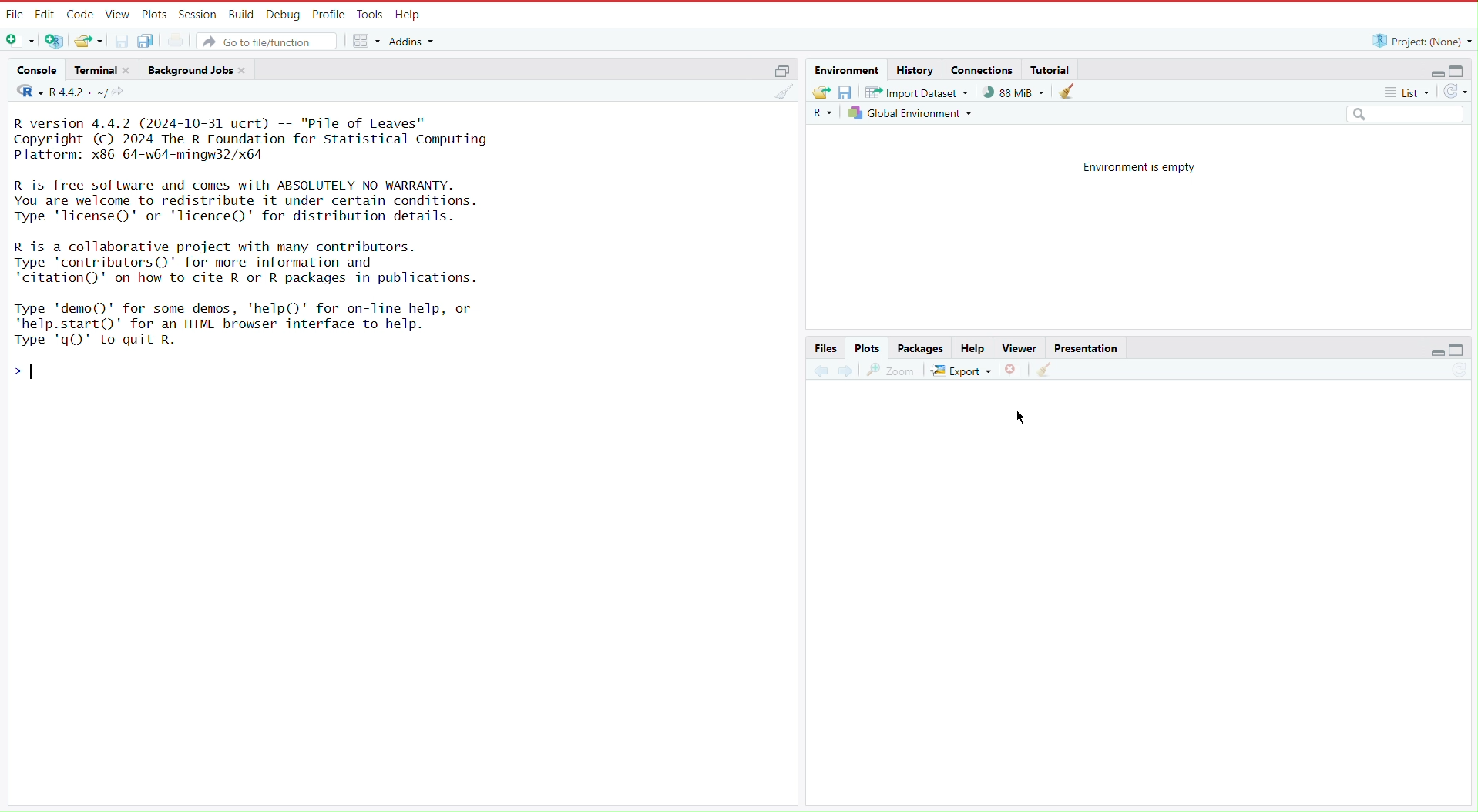 The height and width of the screenshot is (812, 1478). What do you see at coordinates (88, 40) in the screenshot?
I see `Open an existing file (Ctrl + O)` at bounding box center [88, 40].